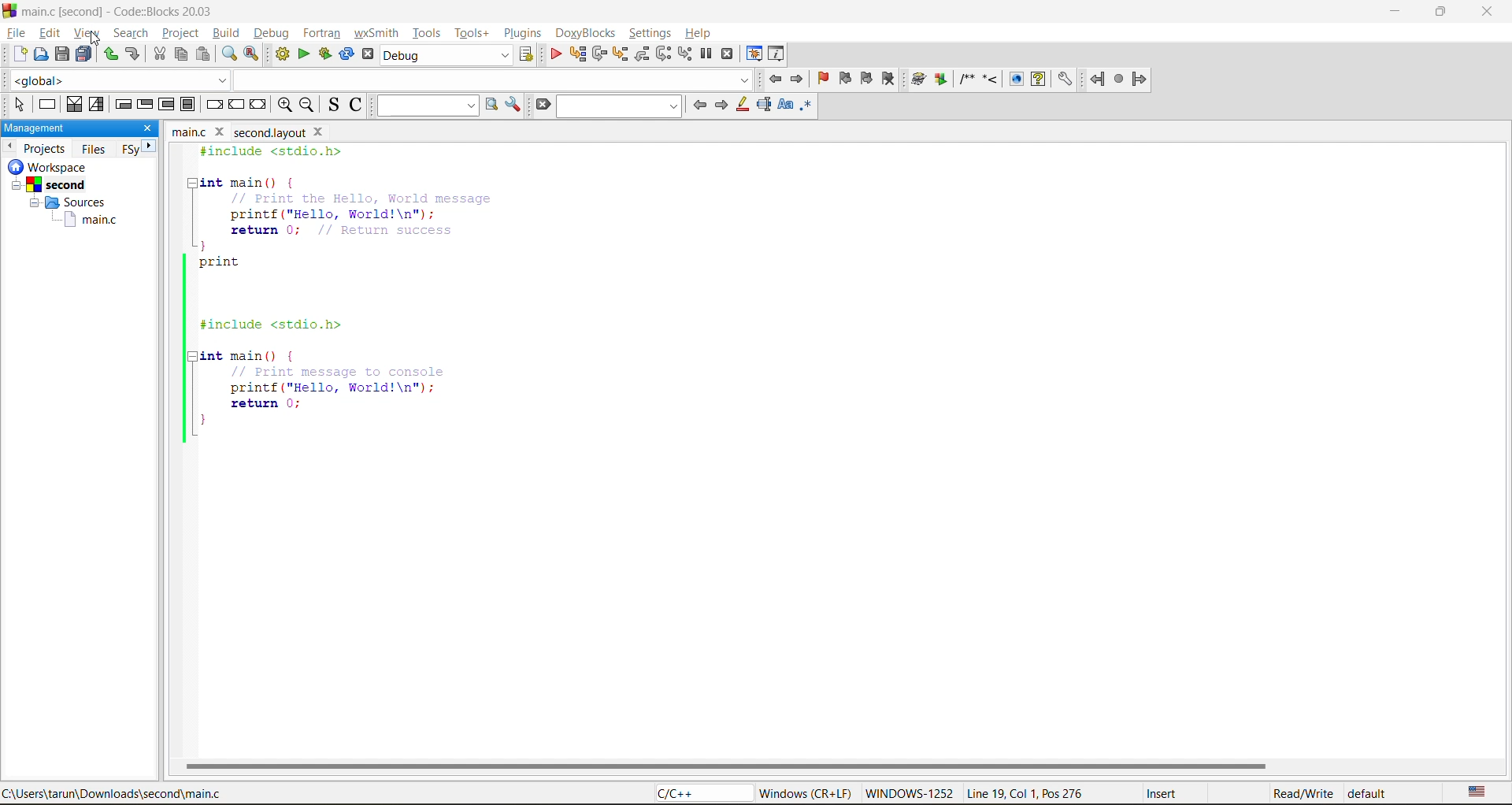  Describe the element at coordinates (322, 33) in the screenshot. I see `fortran` at that location.